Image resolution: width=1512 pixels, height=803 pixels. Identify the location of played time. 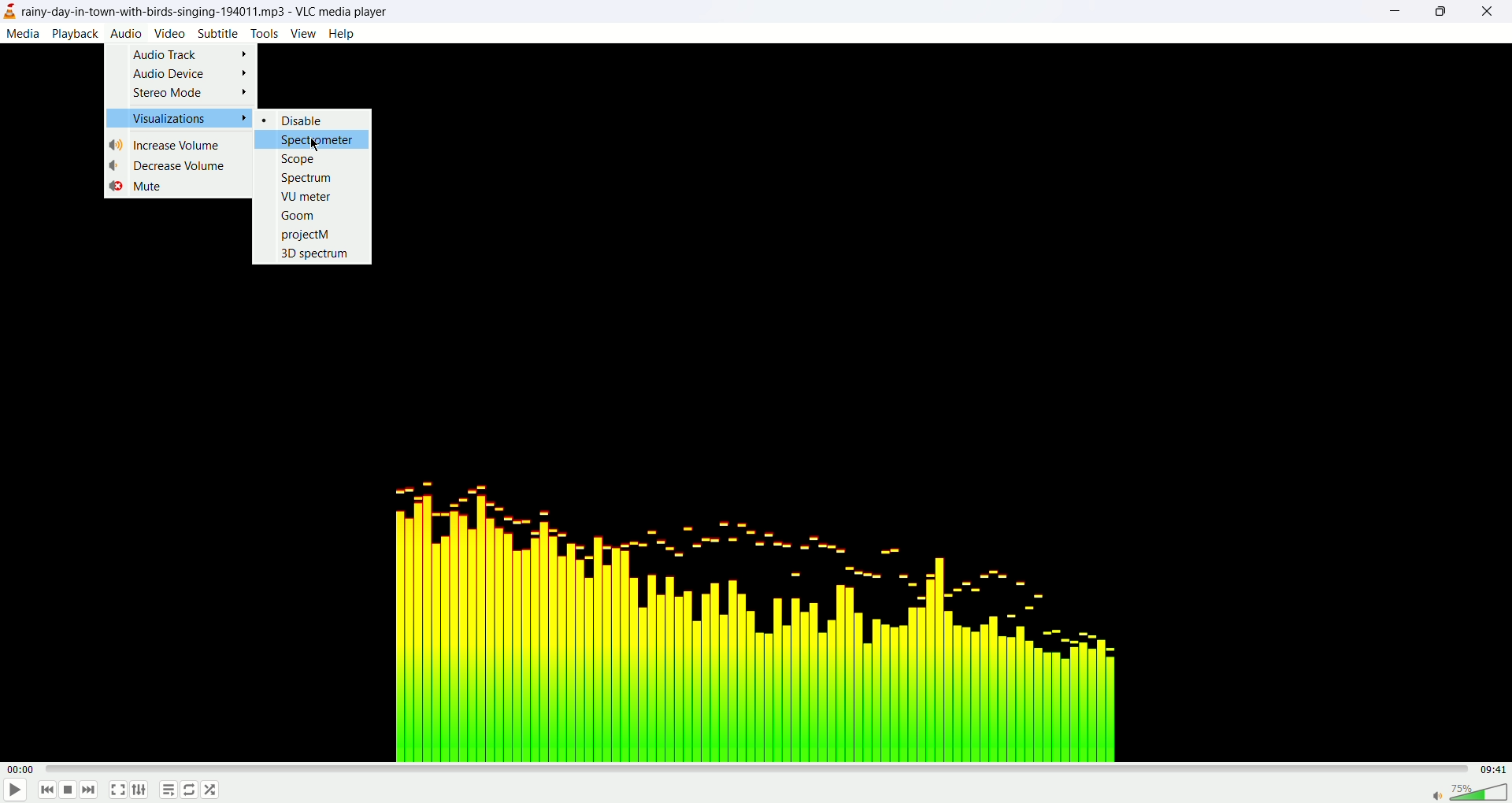
(17, 768).